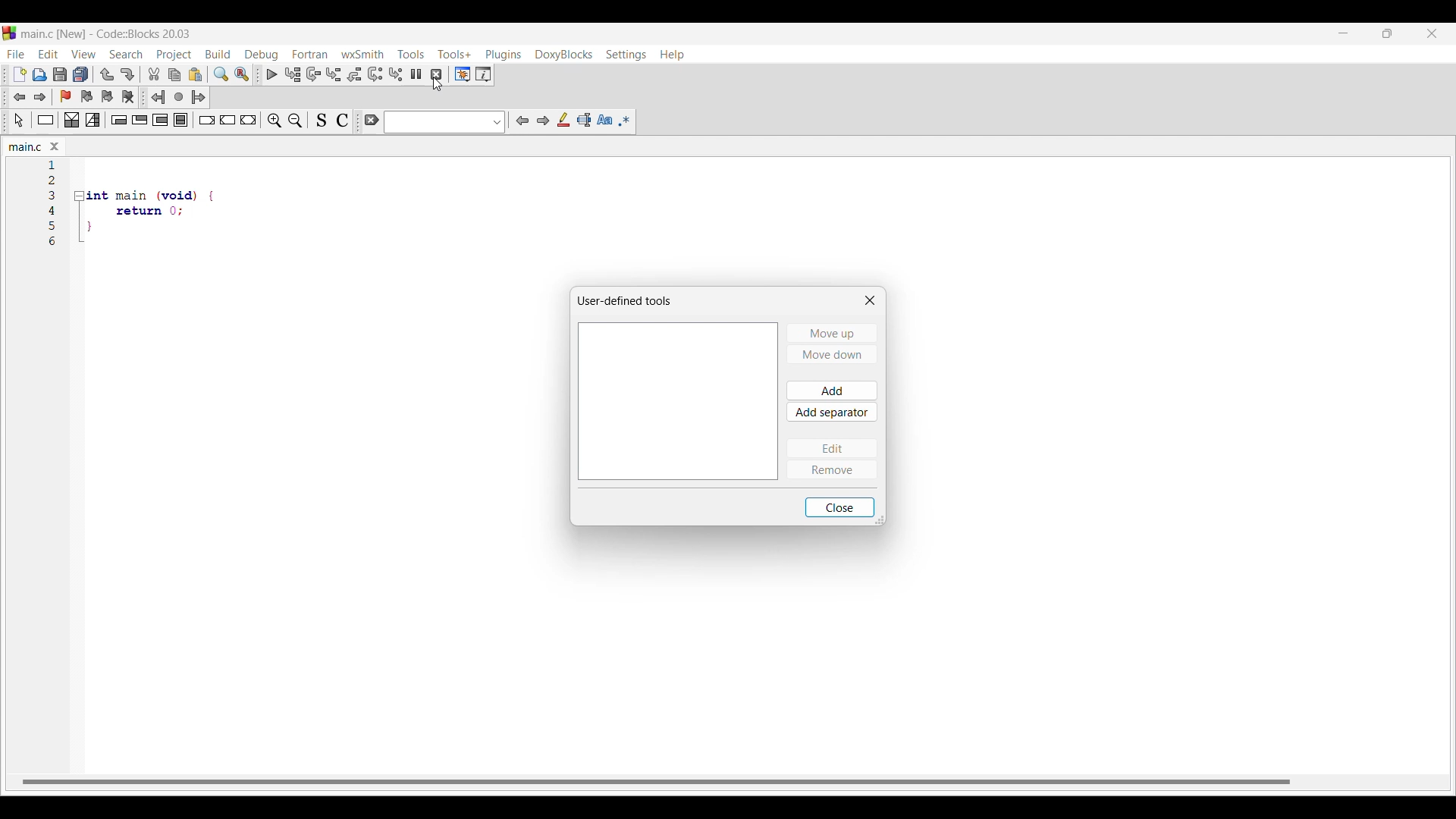  I want to click on horizontal scroll bar, so click(655, 777).